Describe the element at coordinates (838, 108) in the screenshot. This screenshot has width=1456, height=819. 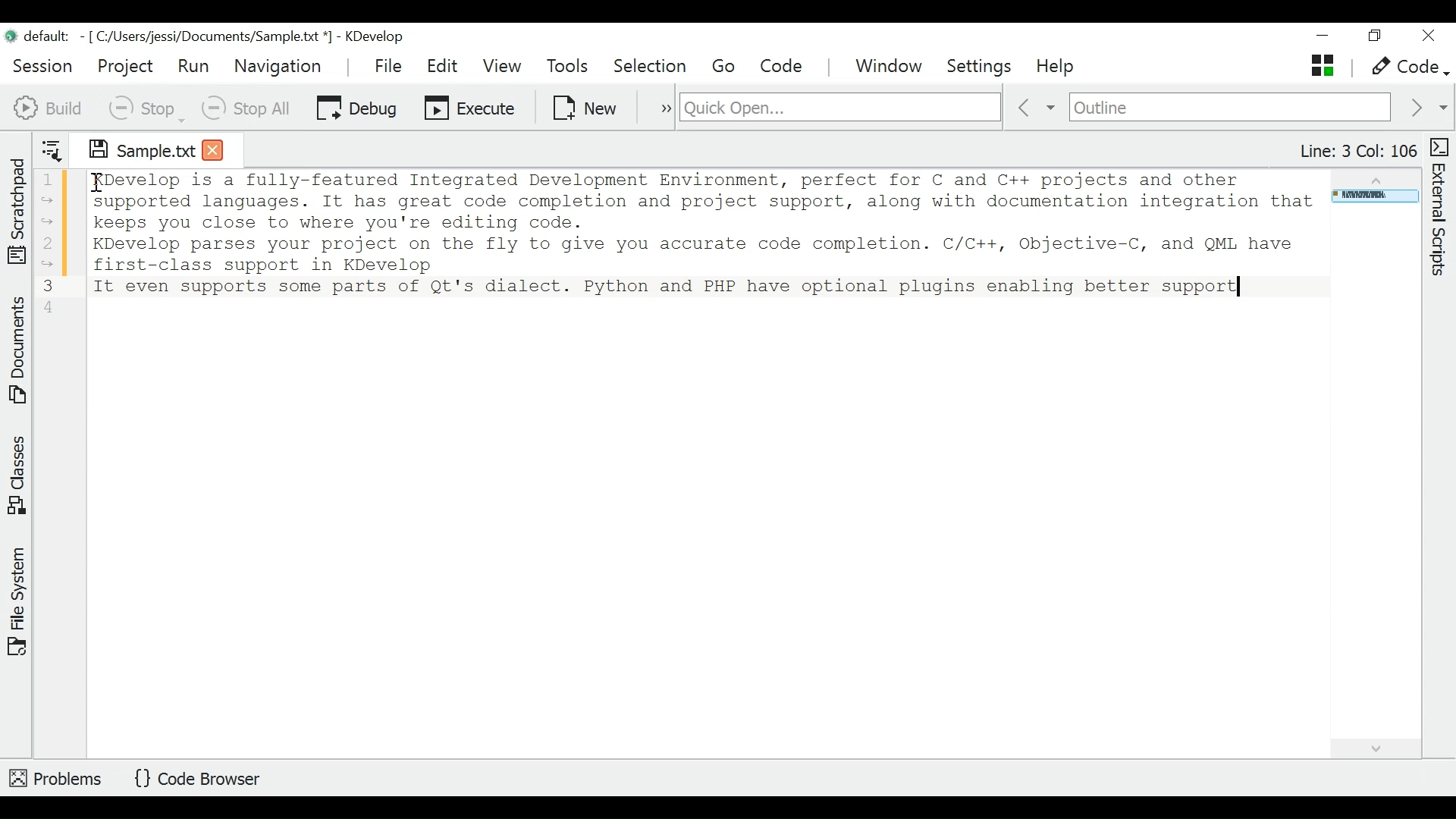
I see `Quick Open...` at that location.